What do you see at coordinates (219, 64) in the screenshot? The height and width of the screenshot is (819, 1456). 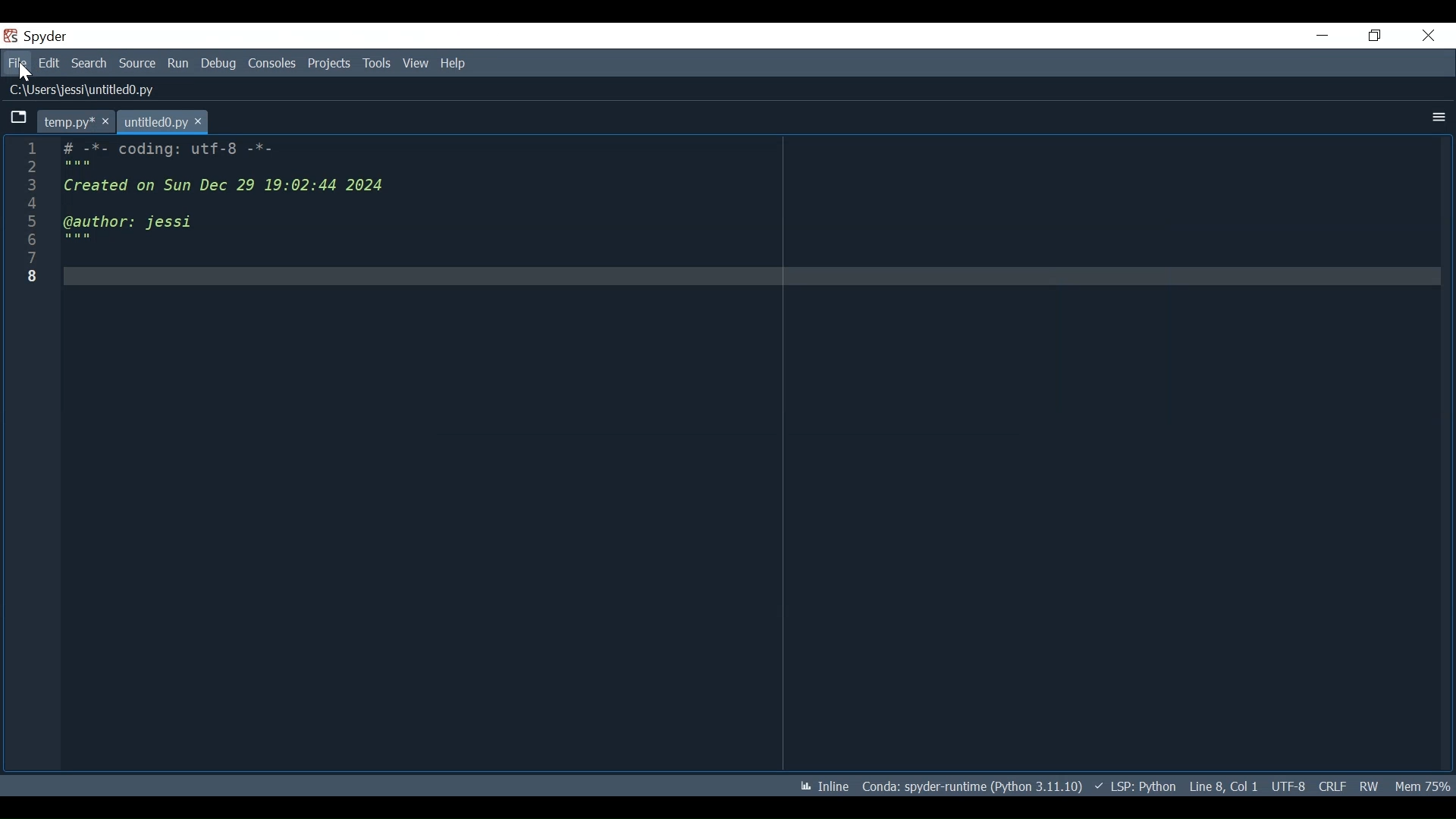 I see `Debug` at bounding box center [219, 64].